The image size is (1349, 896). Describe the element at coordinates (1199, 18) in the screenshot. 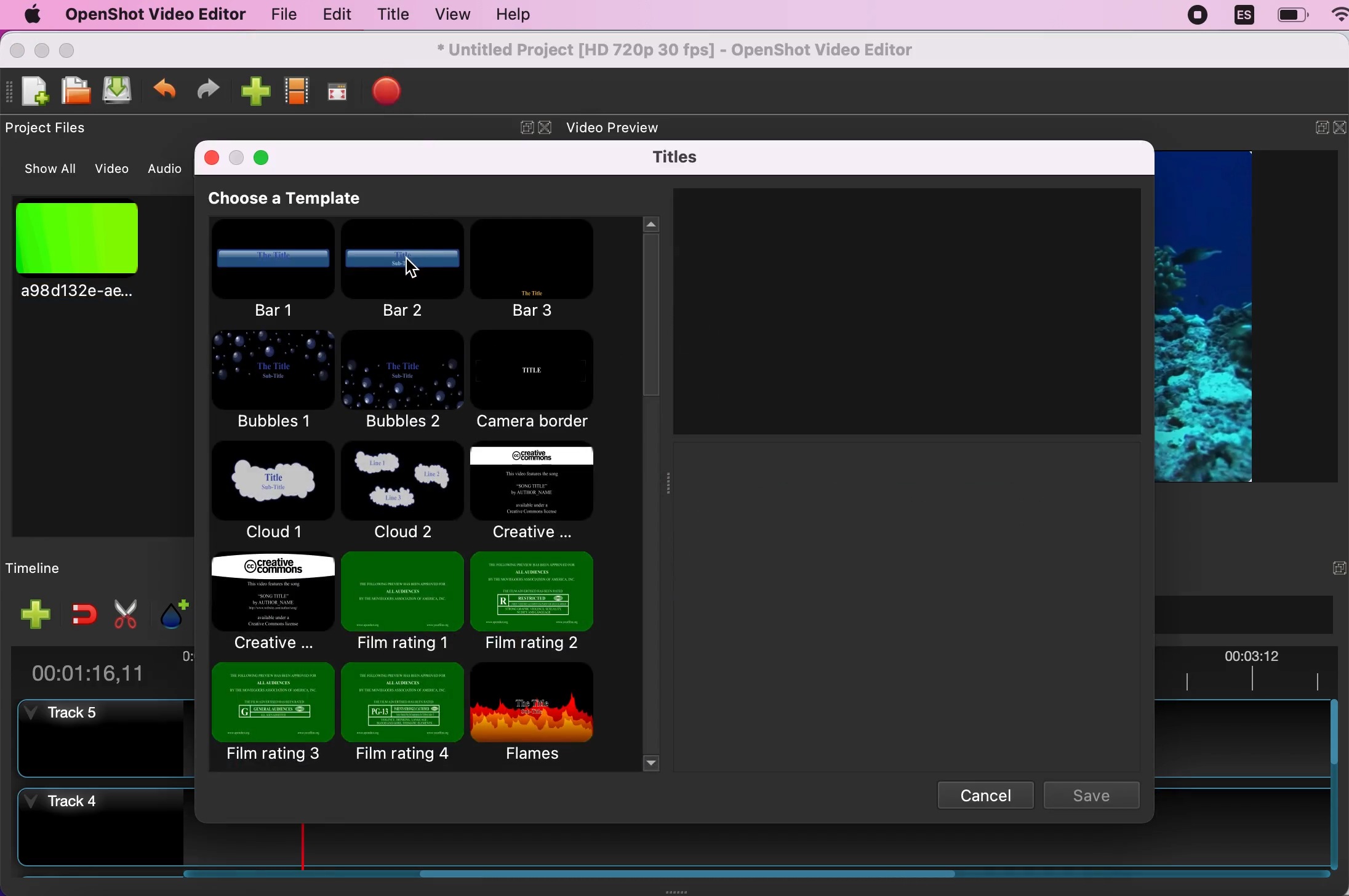

I see `recording stopped` at that location.